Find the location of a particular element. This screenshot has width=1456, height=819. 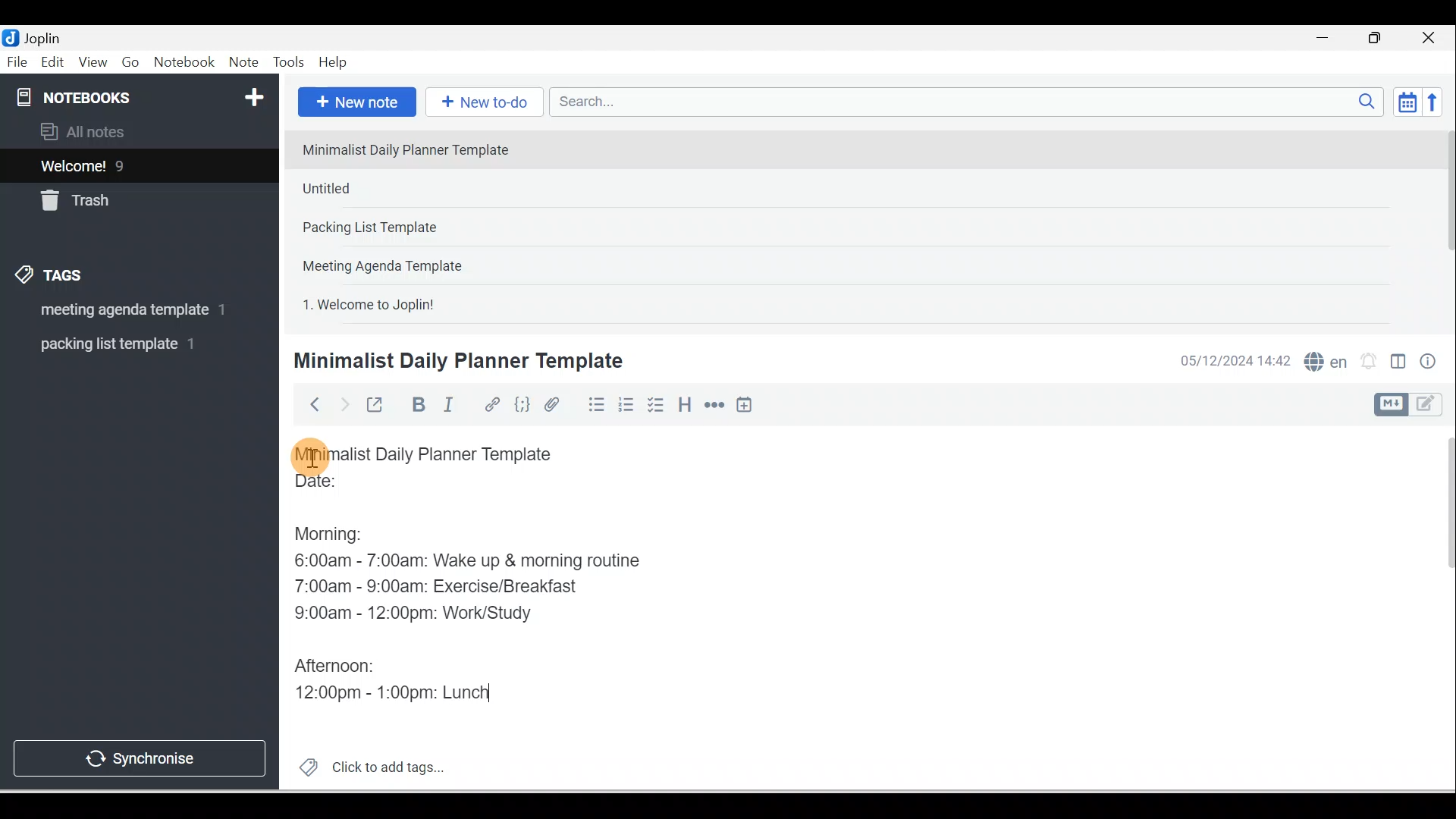

Minimise is located at coordinates (1327, 39).